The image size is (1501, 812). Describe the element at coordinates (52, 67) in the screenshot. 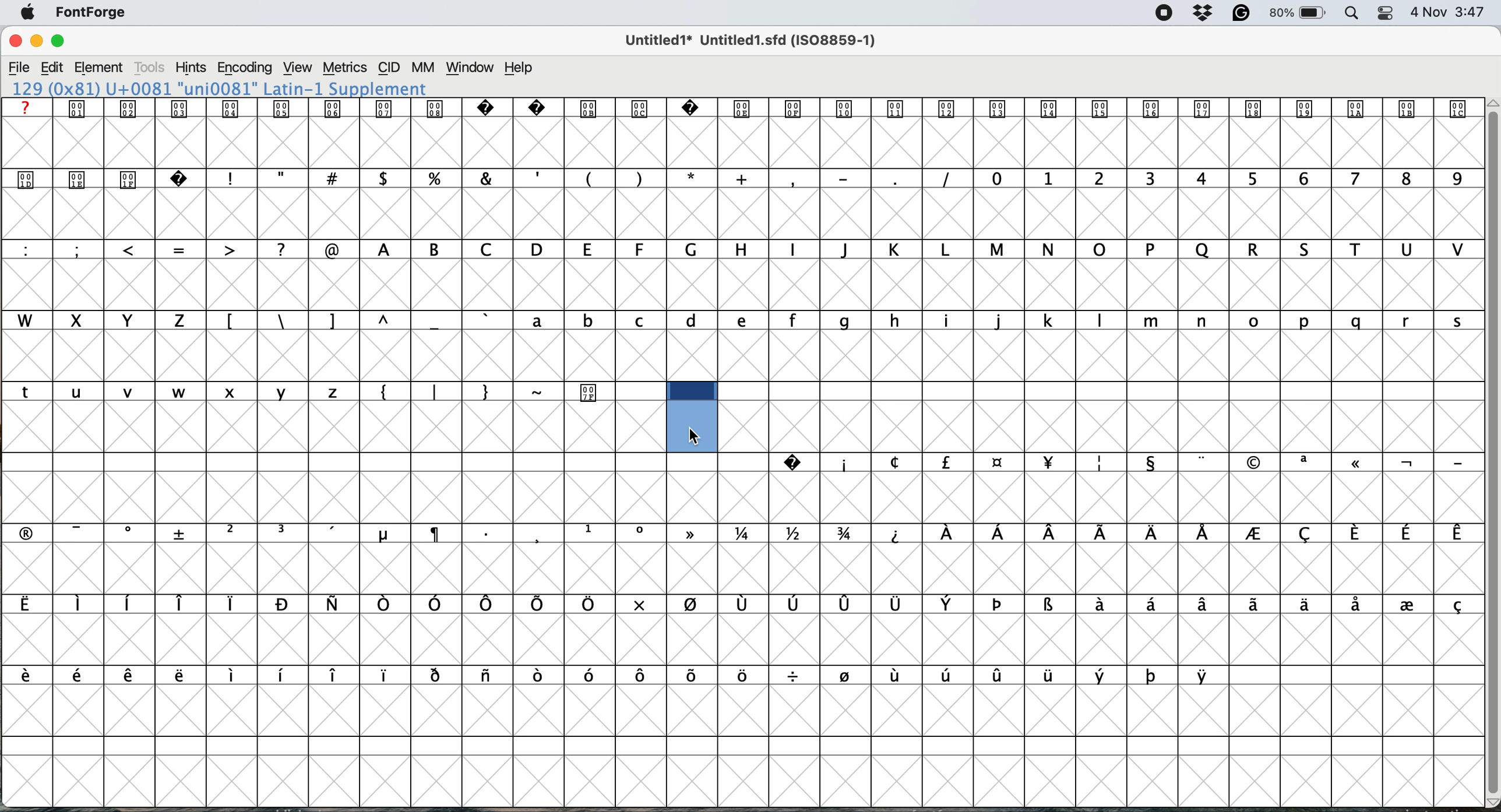

I see `Edit` at that location.